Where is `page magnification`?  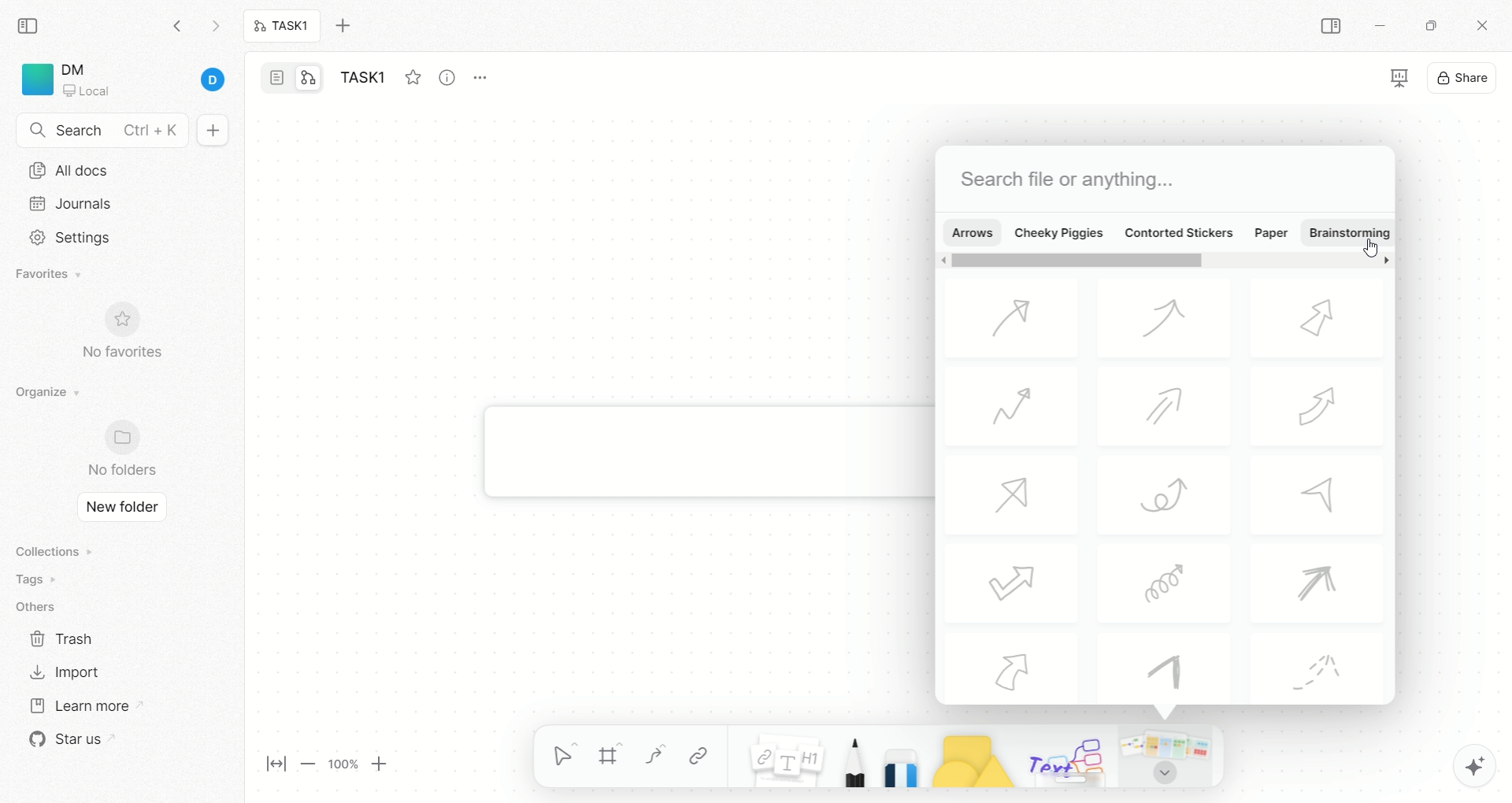 page magnification is located at coordinates (332, 766).